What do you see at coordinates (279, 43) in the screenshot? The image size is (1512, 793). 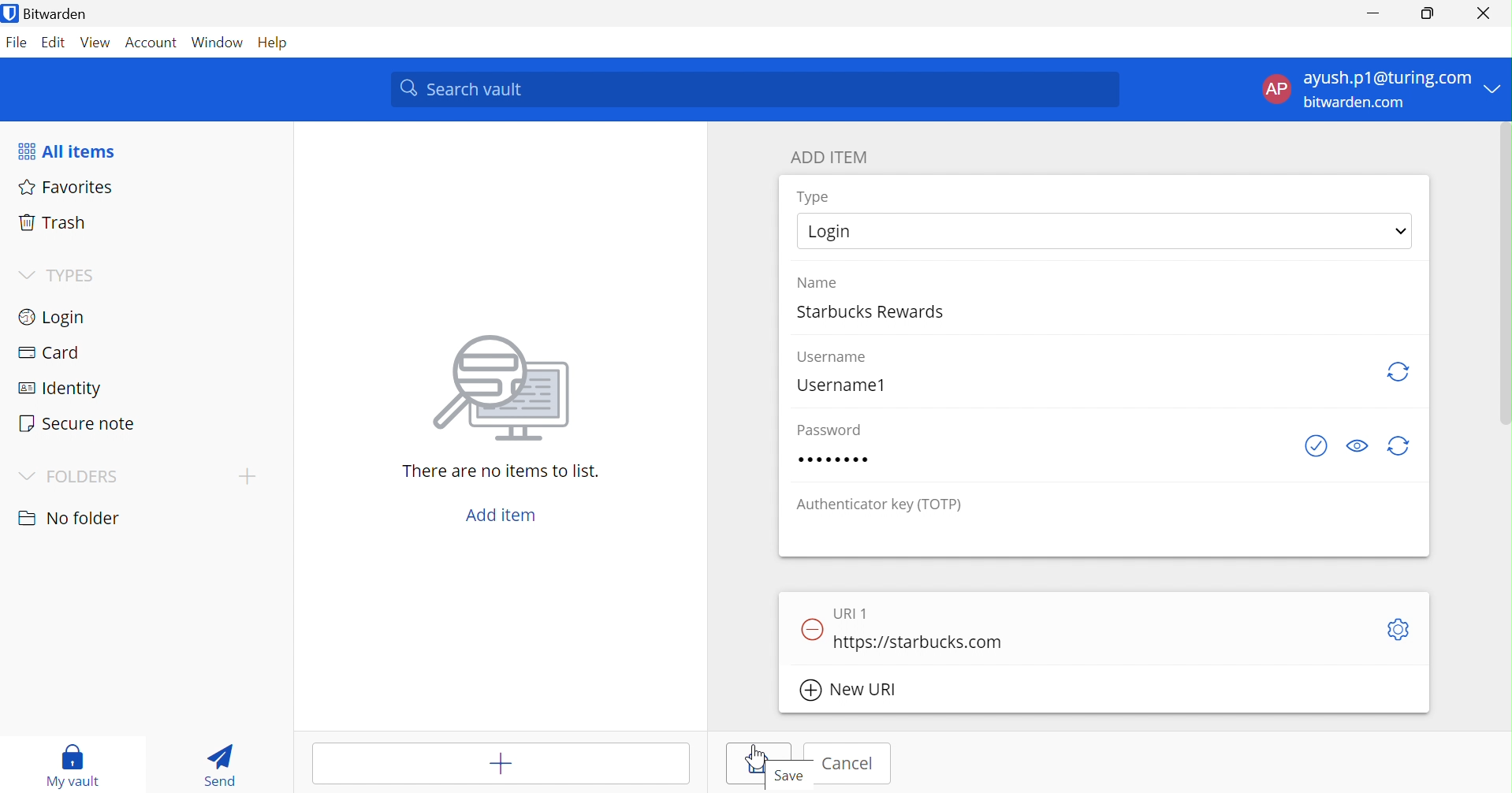 I see `Help` at bounding box center [279, 43].